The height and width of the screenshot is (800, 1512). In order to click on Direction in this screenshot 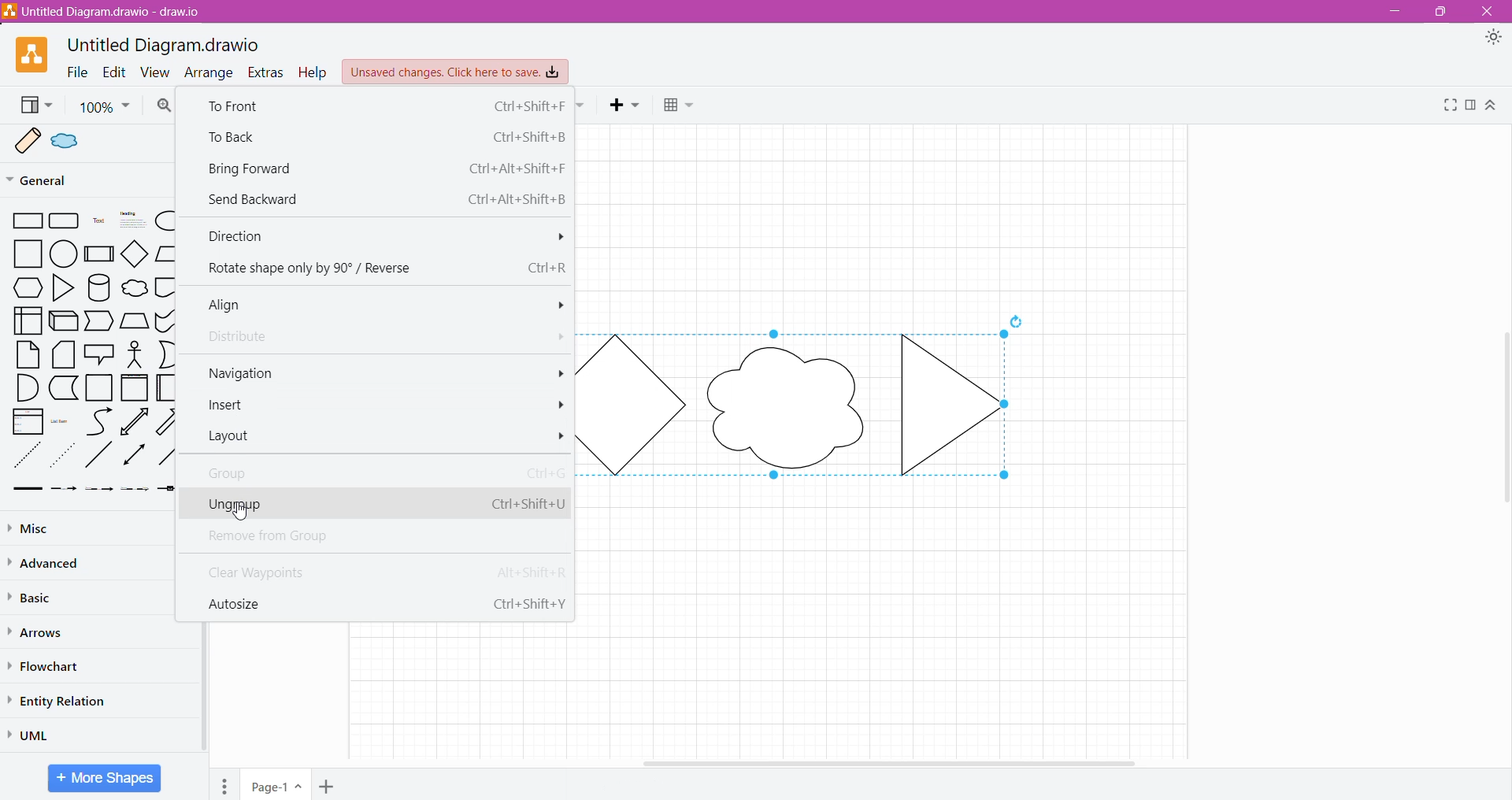, I will do `click(388, 236)`.